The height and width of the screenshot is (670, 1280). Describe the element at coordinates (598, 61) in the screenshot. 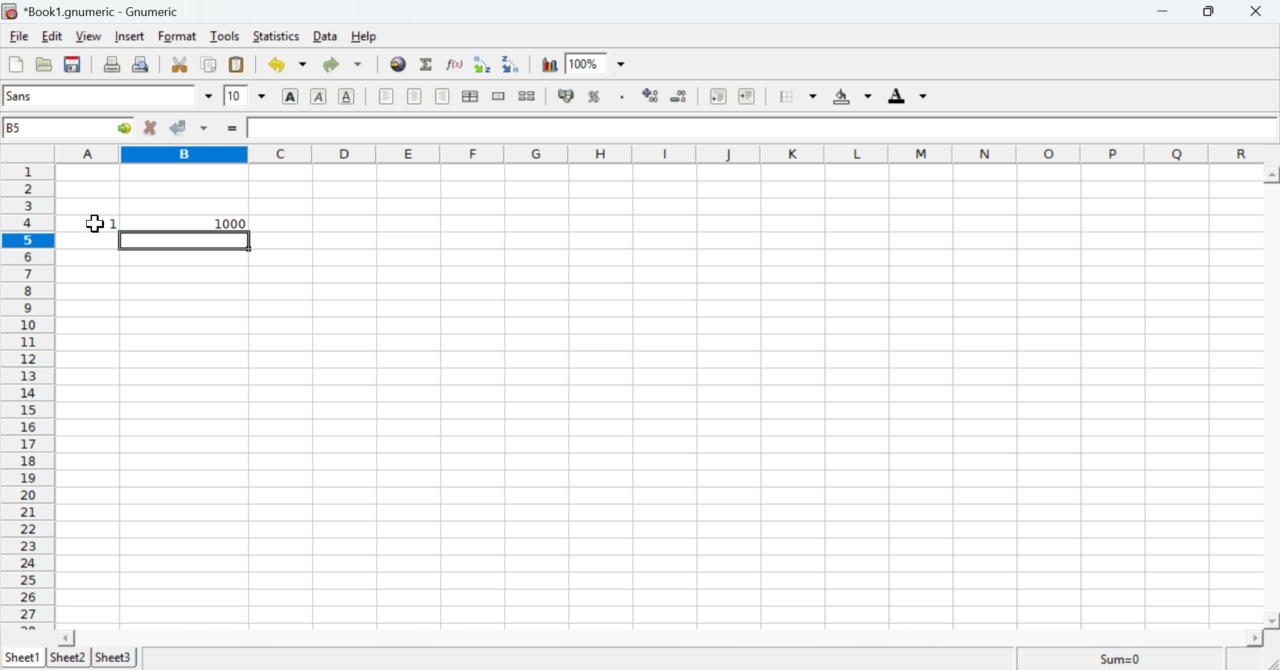

I see `Zoom` at that location.